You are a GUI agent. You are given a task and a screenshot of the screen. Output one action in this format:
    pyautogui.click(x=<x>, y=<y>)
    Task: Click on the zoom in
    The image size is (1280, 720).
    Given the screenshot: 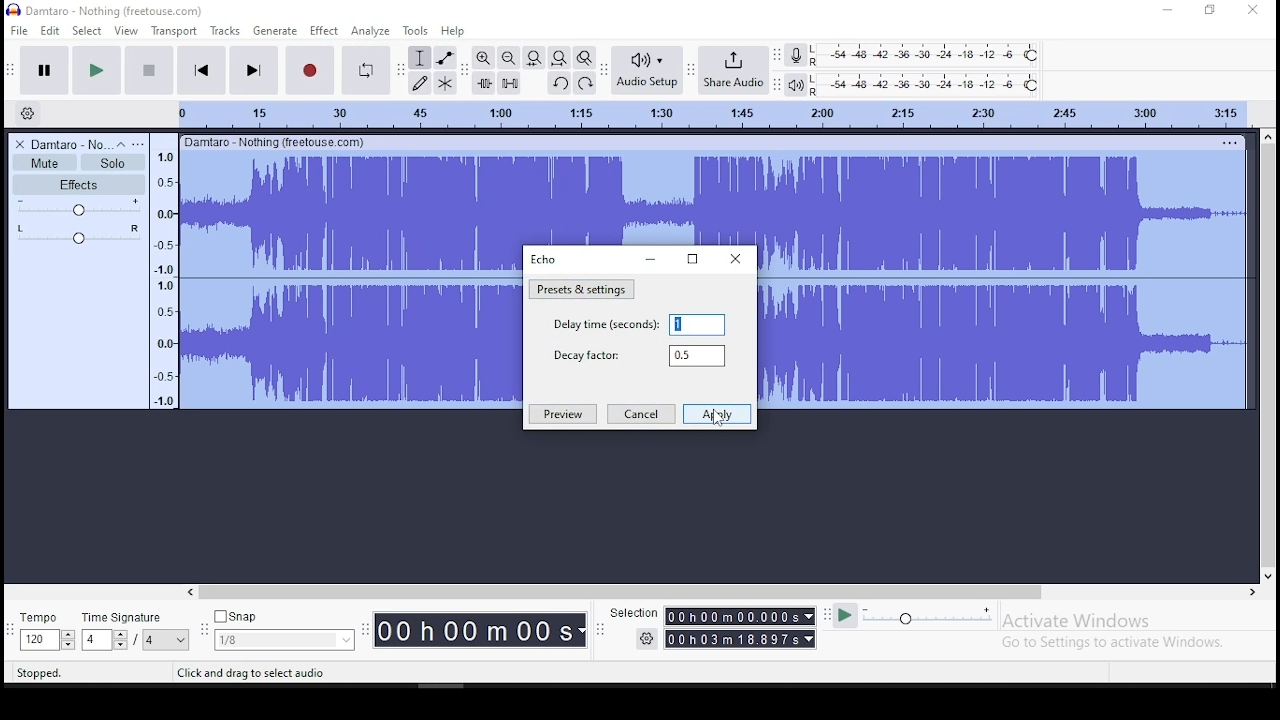 What is the action you would take?
    pyautogui.click(x=485, y=58)
    